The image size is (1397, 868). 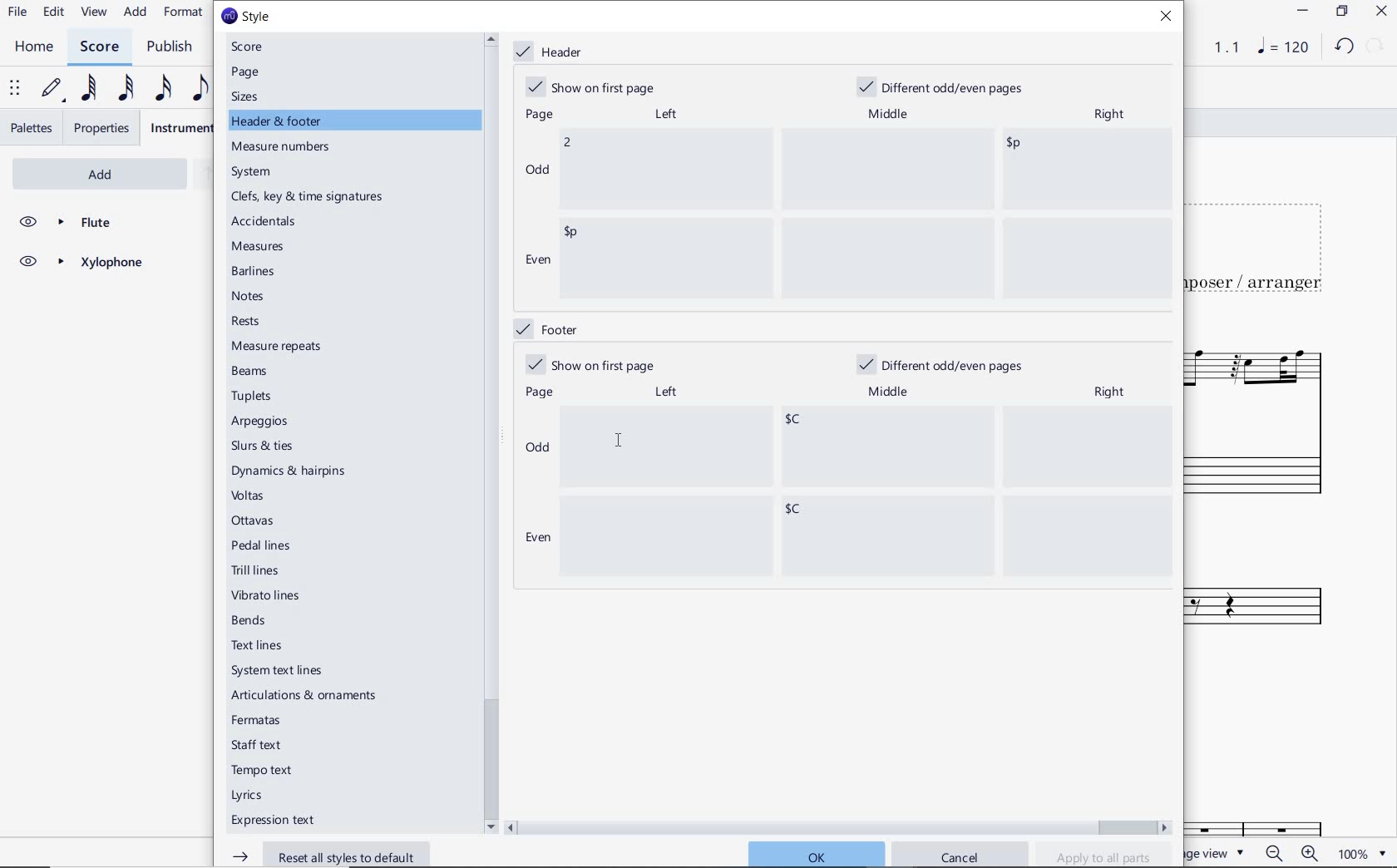 I want to click on header & footer, so click(x=279, y=121).